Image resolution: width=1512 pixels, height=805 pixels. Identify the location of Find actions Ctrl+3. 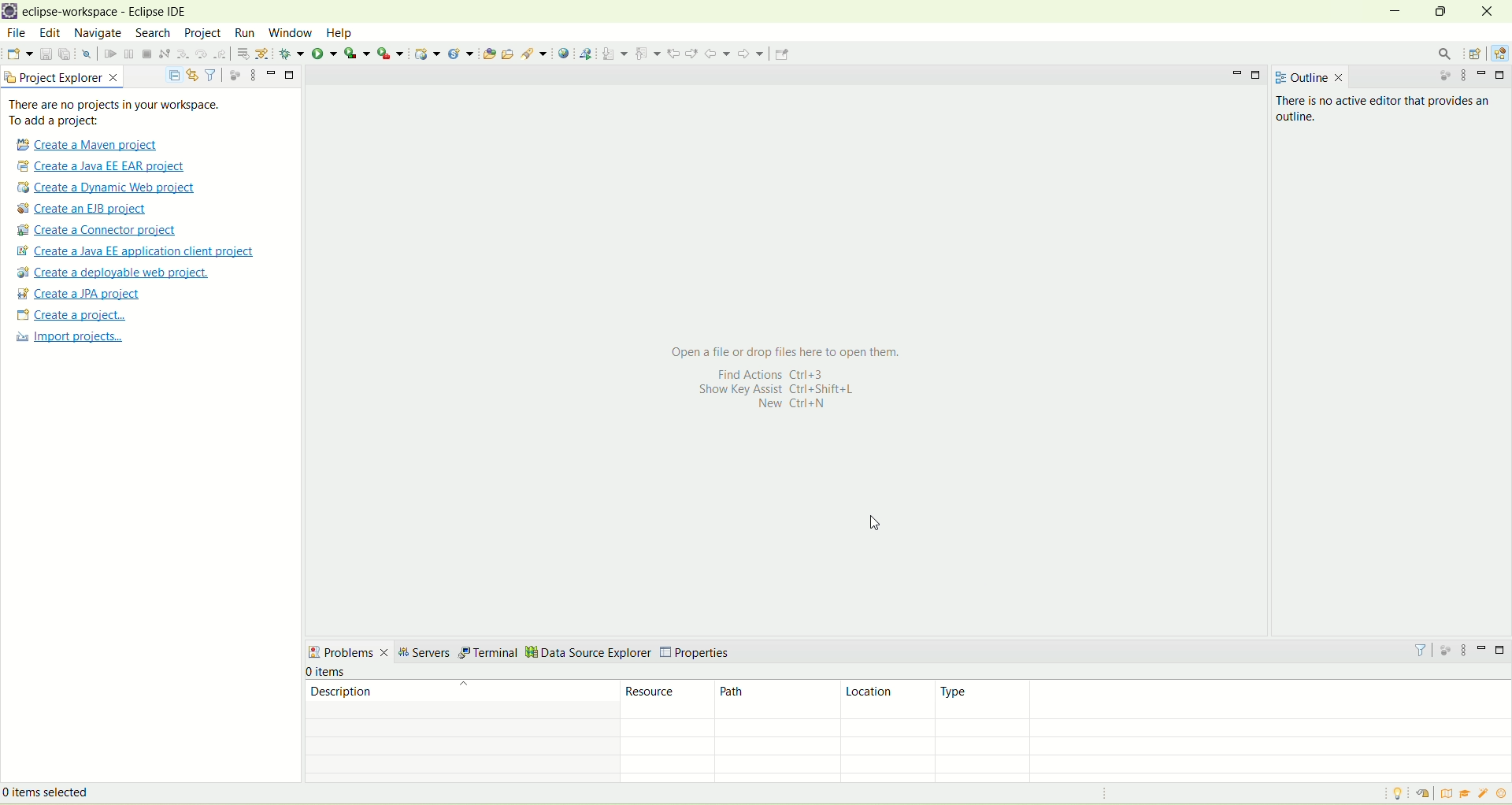
(763, 374).